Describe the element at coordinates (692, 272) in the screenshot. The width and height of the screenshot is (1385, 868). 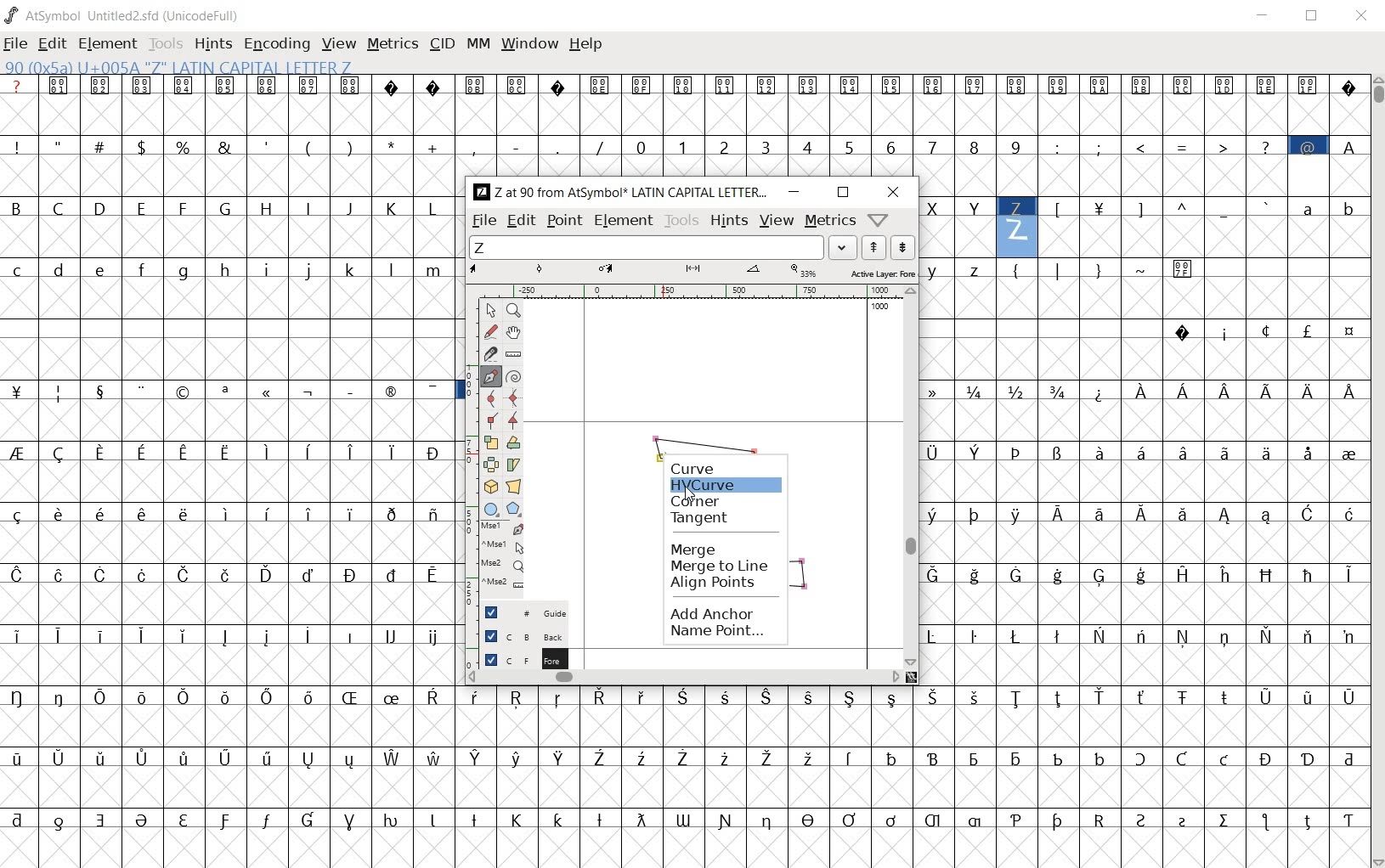
I see `Active Layer: Fore` at that location.